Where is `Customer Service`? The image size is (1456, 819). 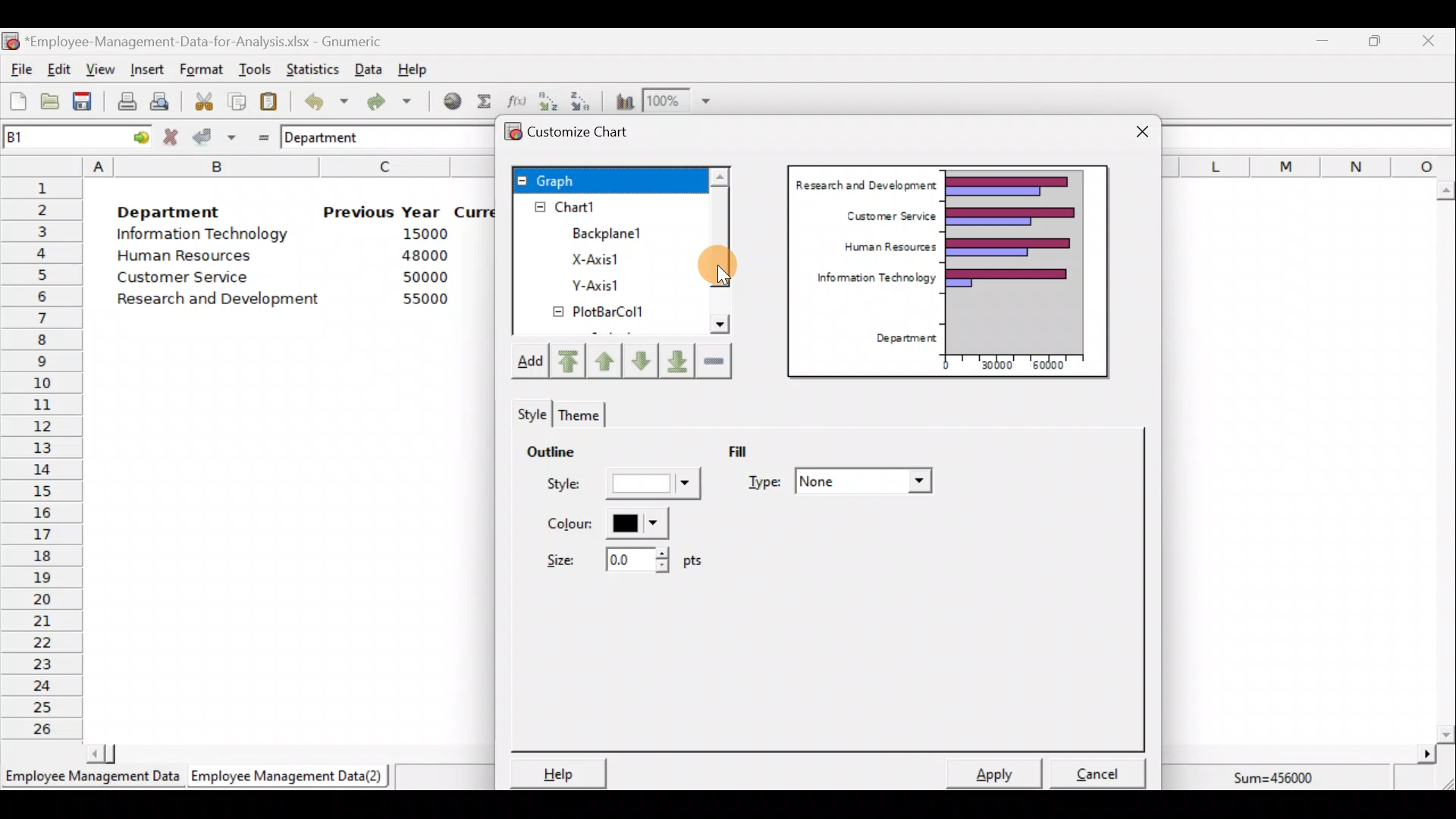
Customer Service is located at coordinates (187, 281).